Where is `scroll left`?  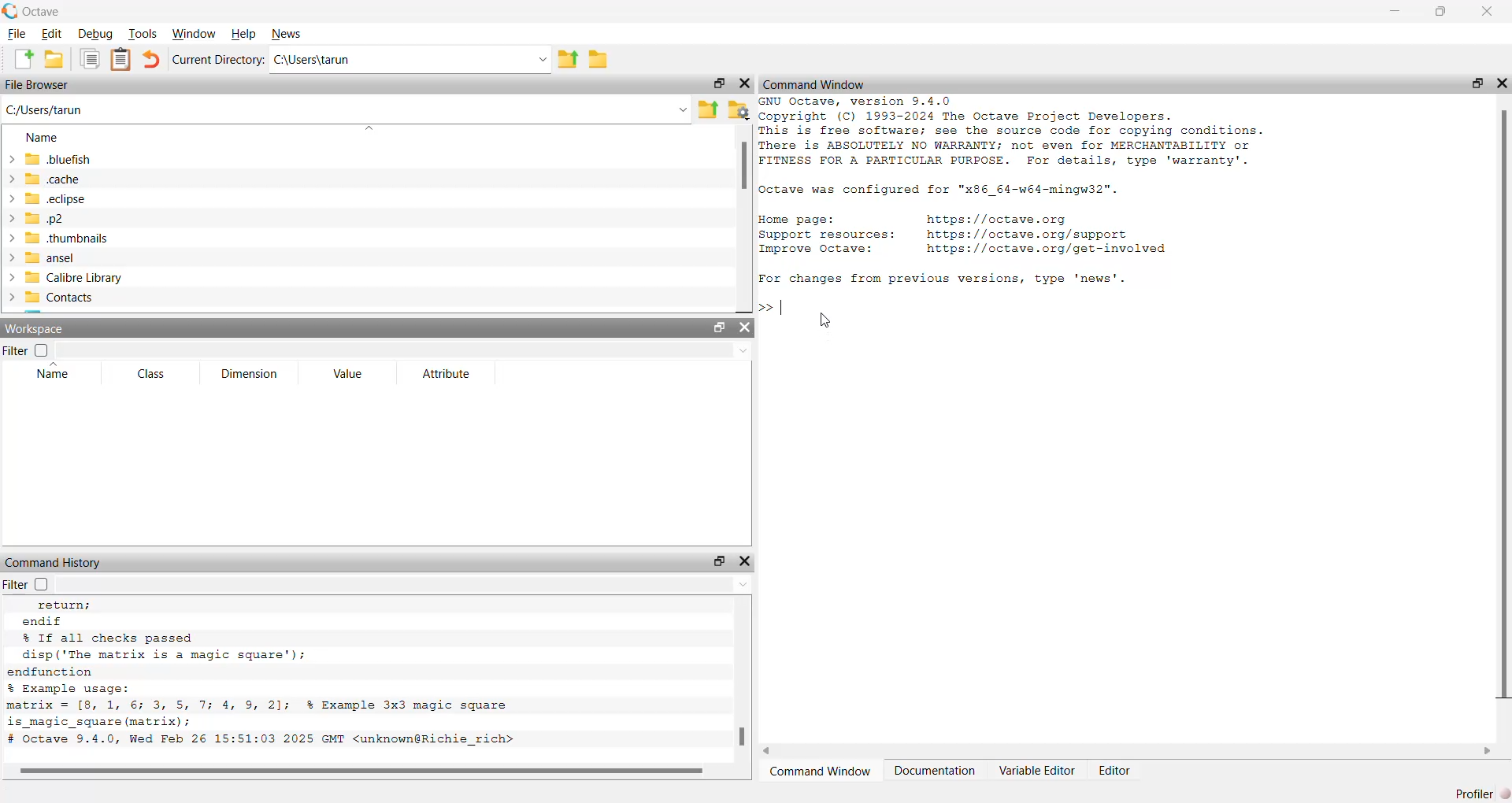
scroll left is located at coordinates (768, 751).